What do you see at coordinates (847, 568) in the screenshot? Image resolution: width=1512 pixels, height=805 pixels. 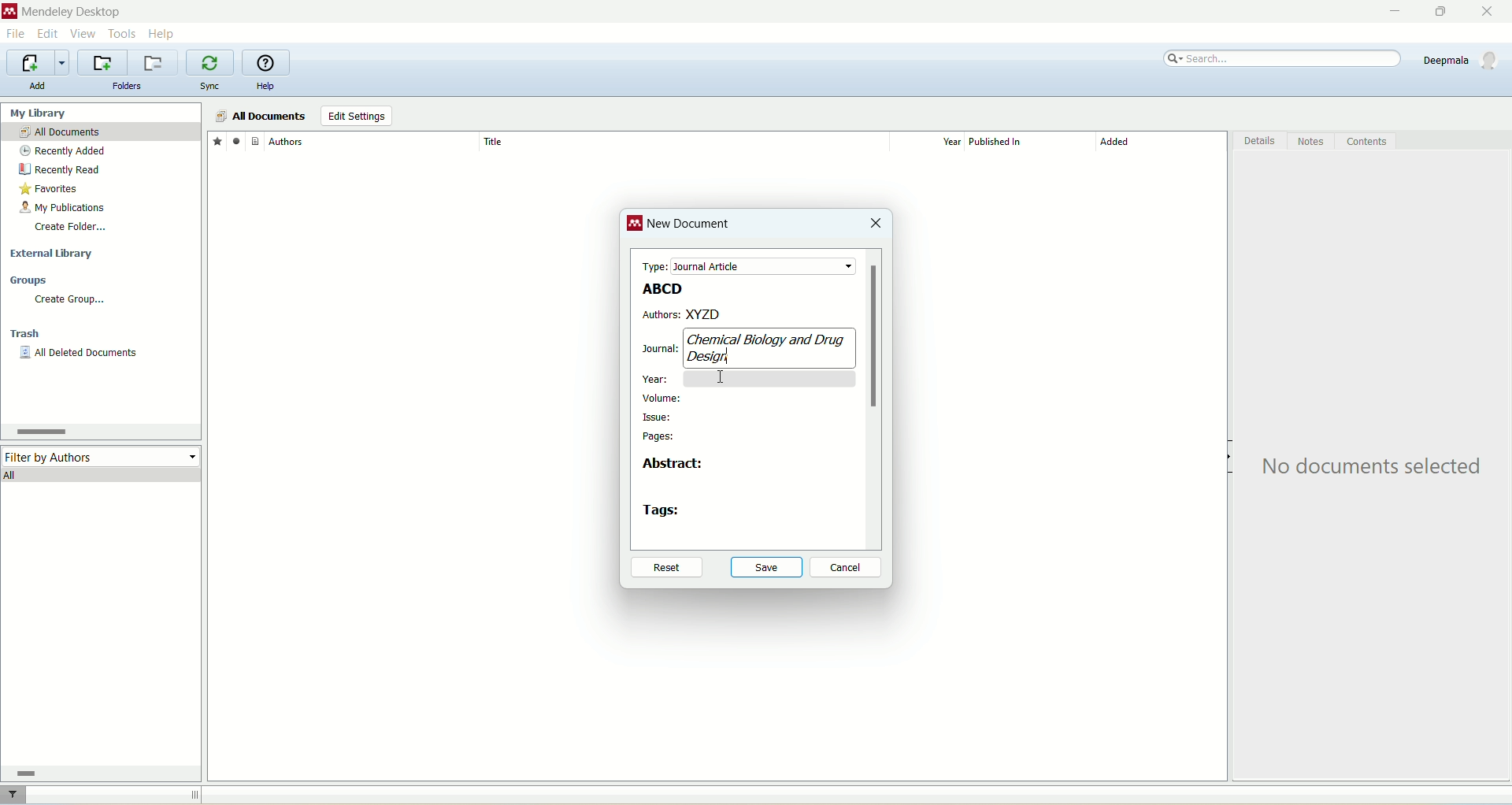 I see `cancel` at bounding box center [847, 568].